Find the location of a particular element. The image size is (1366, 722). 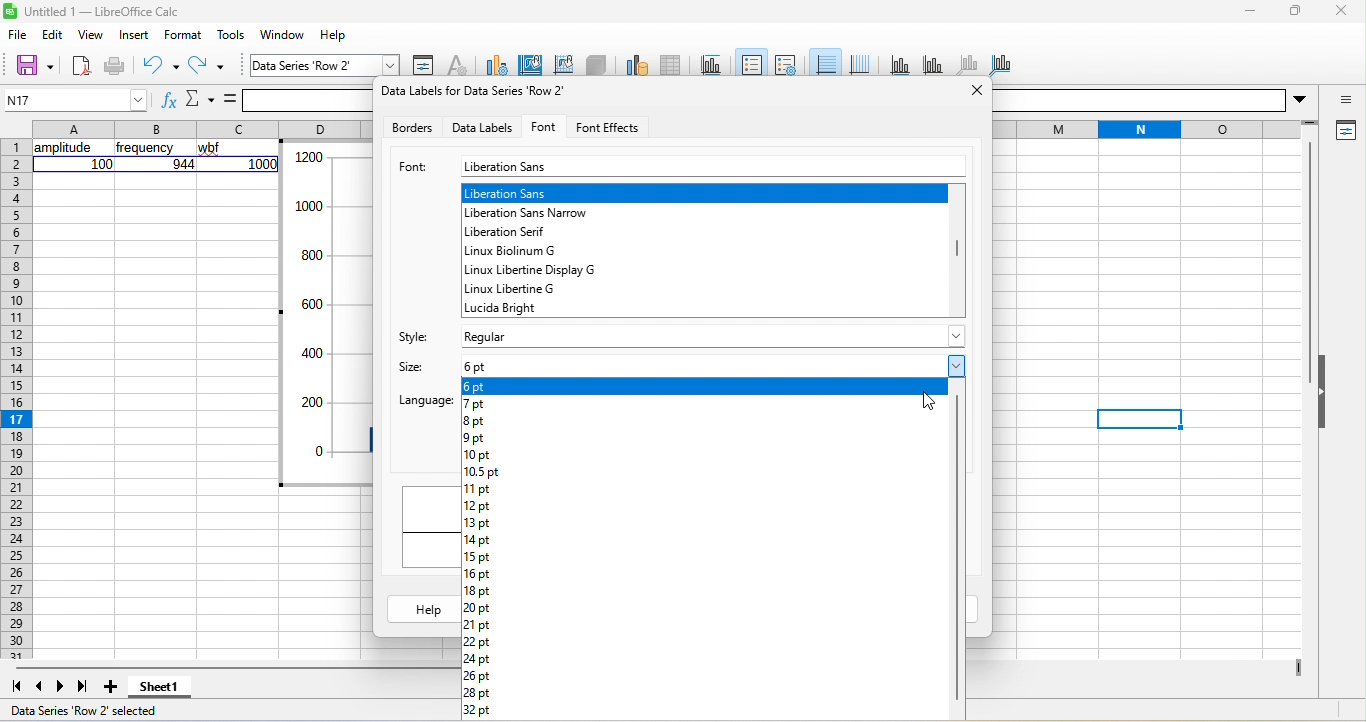

100 is located at coordinates (102, 164).